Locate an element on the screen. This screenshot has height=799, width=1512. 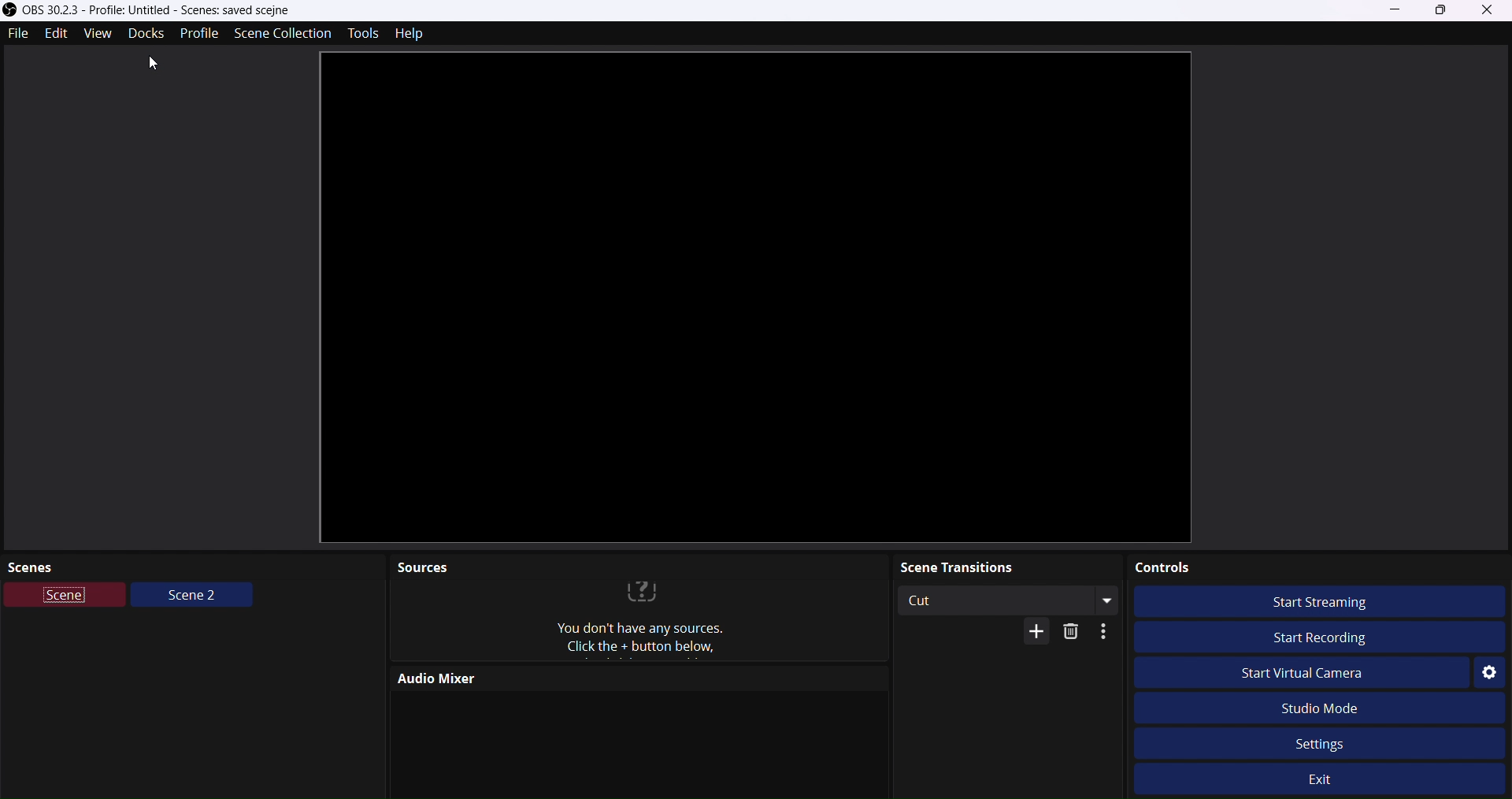
Scenes is located at coordinates (195, 567).